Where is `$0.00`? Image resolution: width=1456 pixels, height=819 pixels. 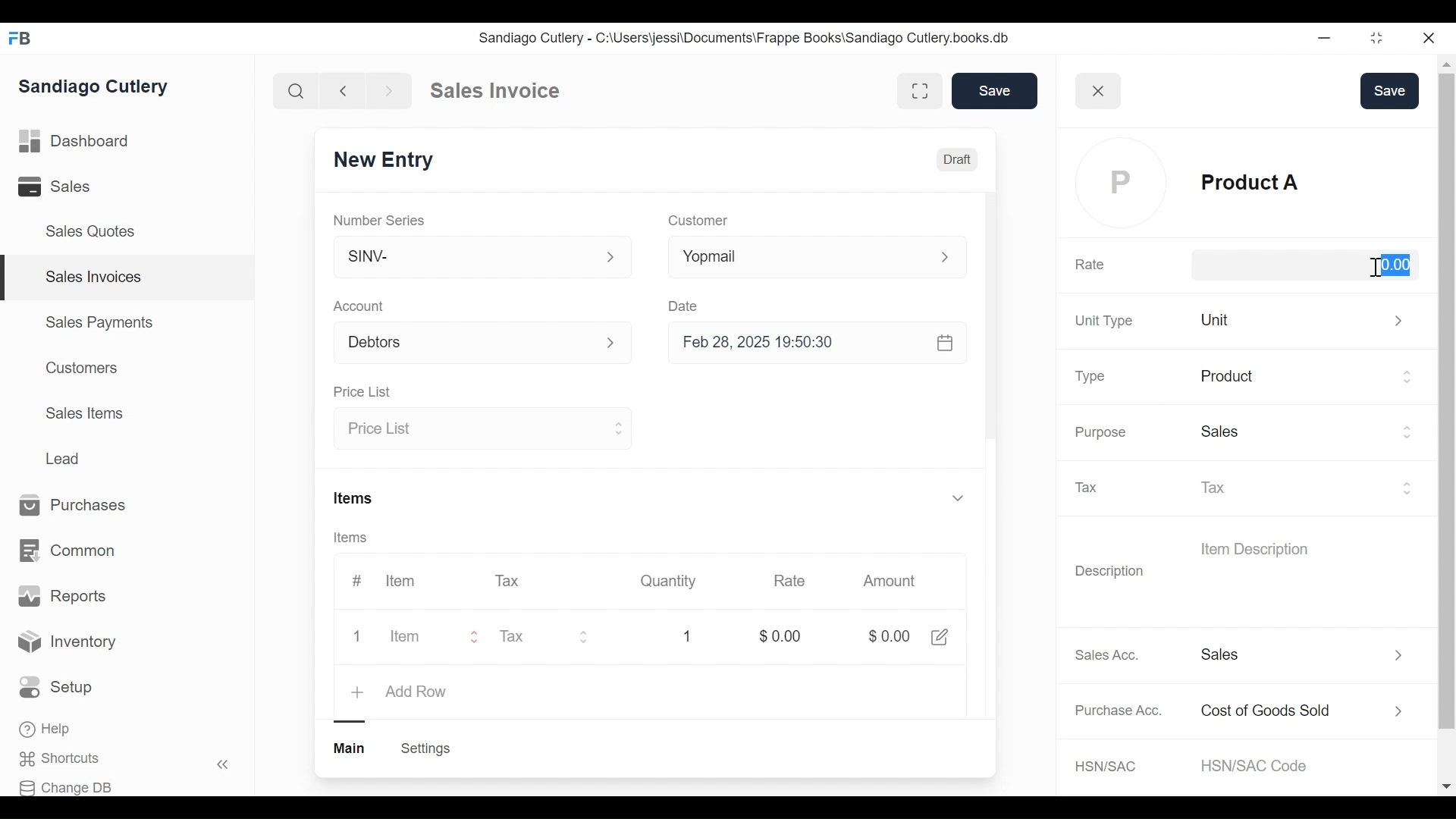 $0.00 is located at coordinates (777, 634).